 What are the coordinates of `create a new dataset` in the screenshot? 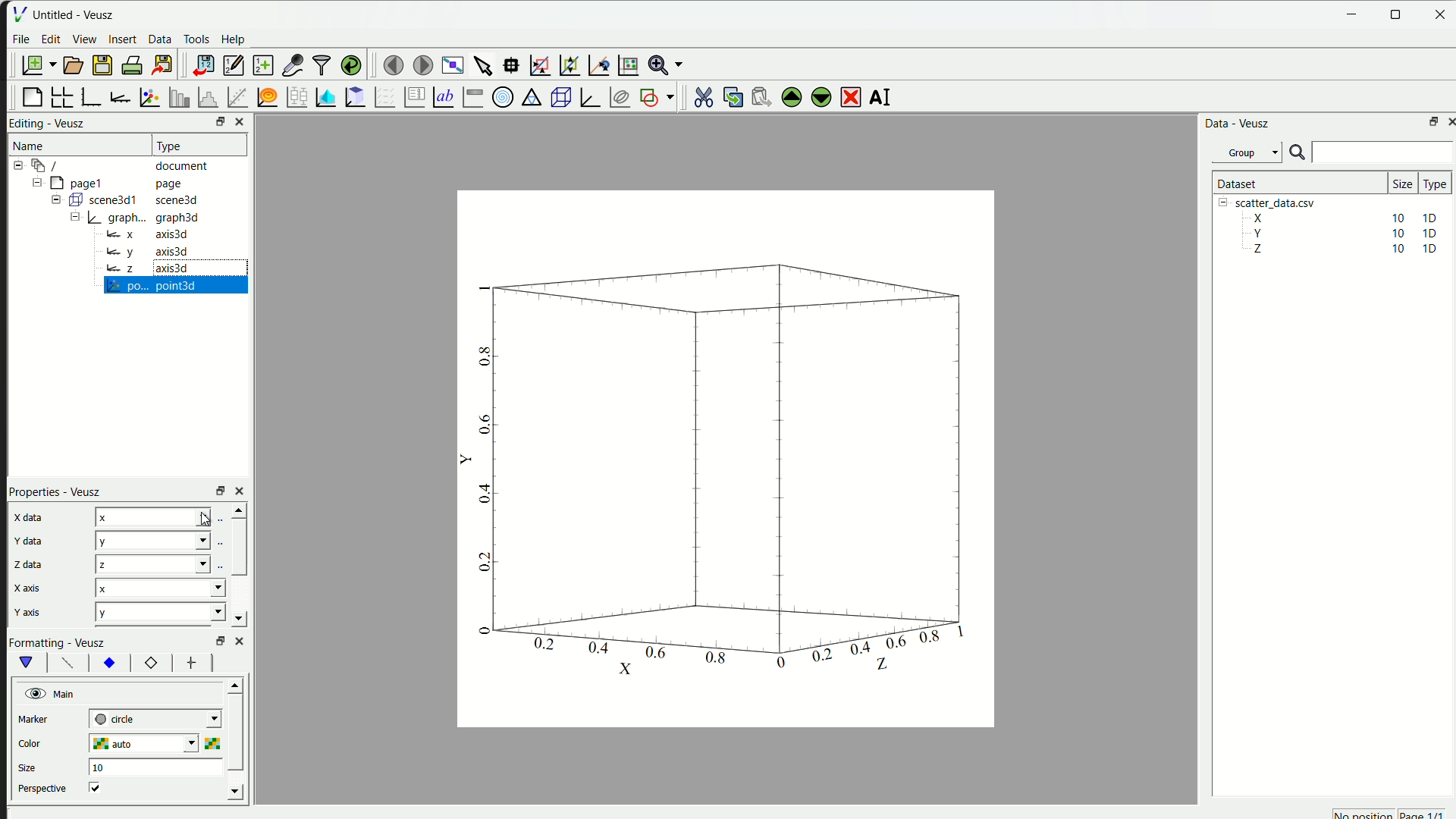 It's located at (262, 64).